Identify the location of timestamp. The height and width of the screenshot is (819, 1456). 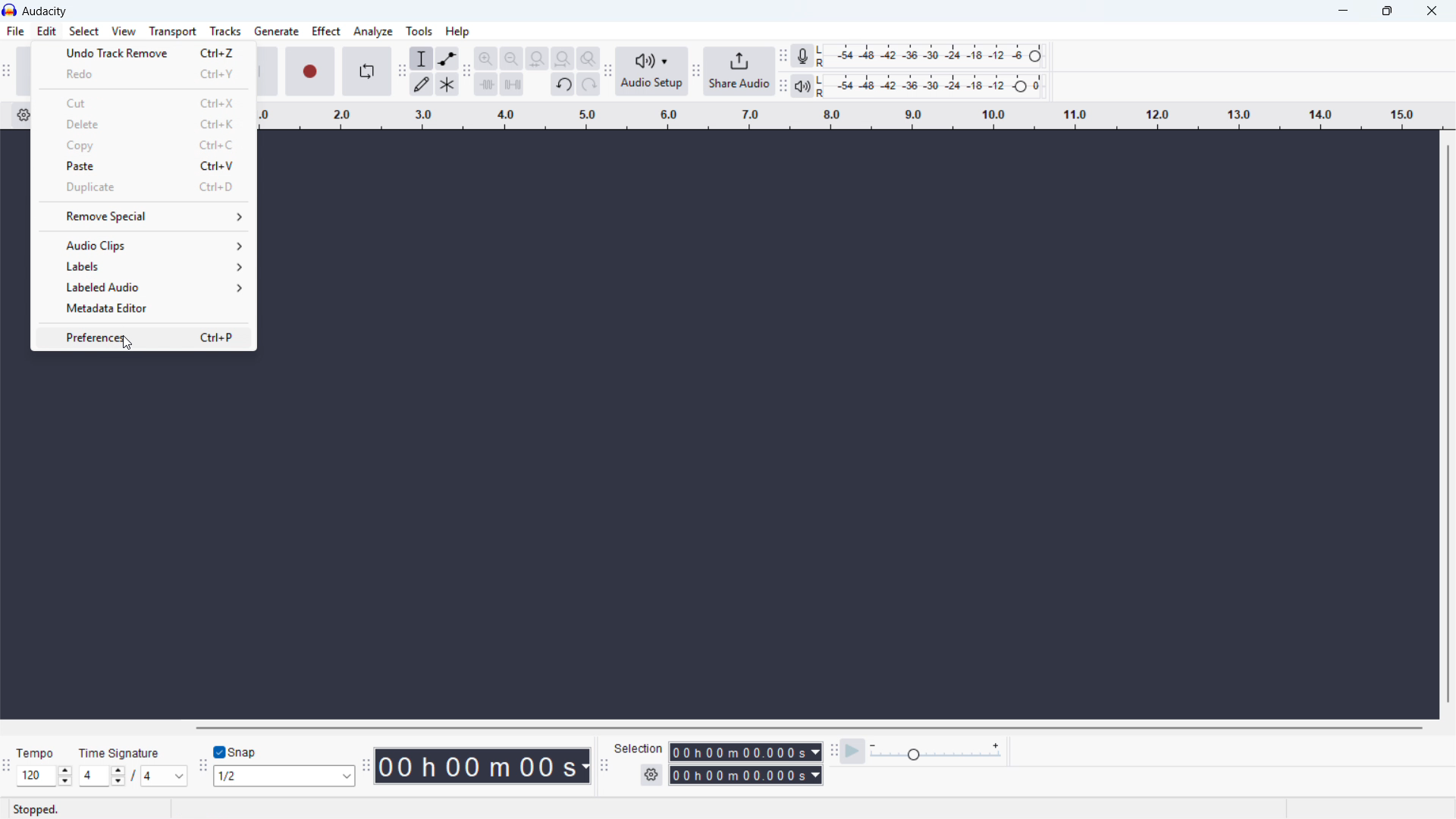
(483, 765).